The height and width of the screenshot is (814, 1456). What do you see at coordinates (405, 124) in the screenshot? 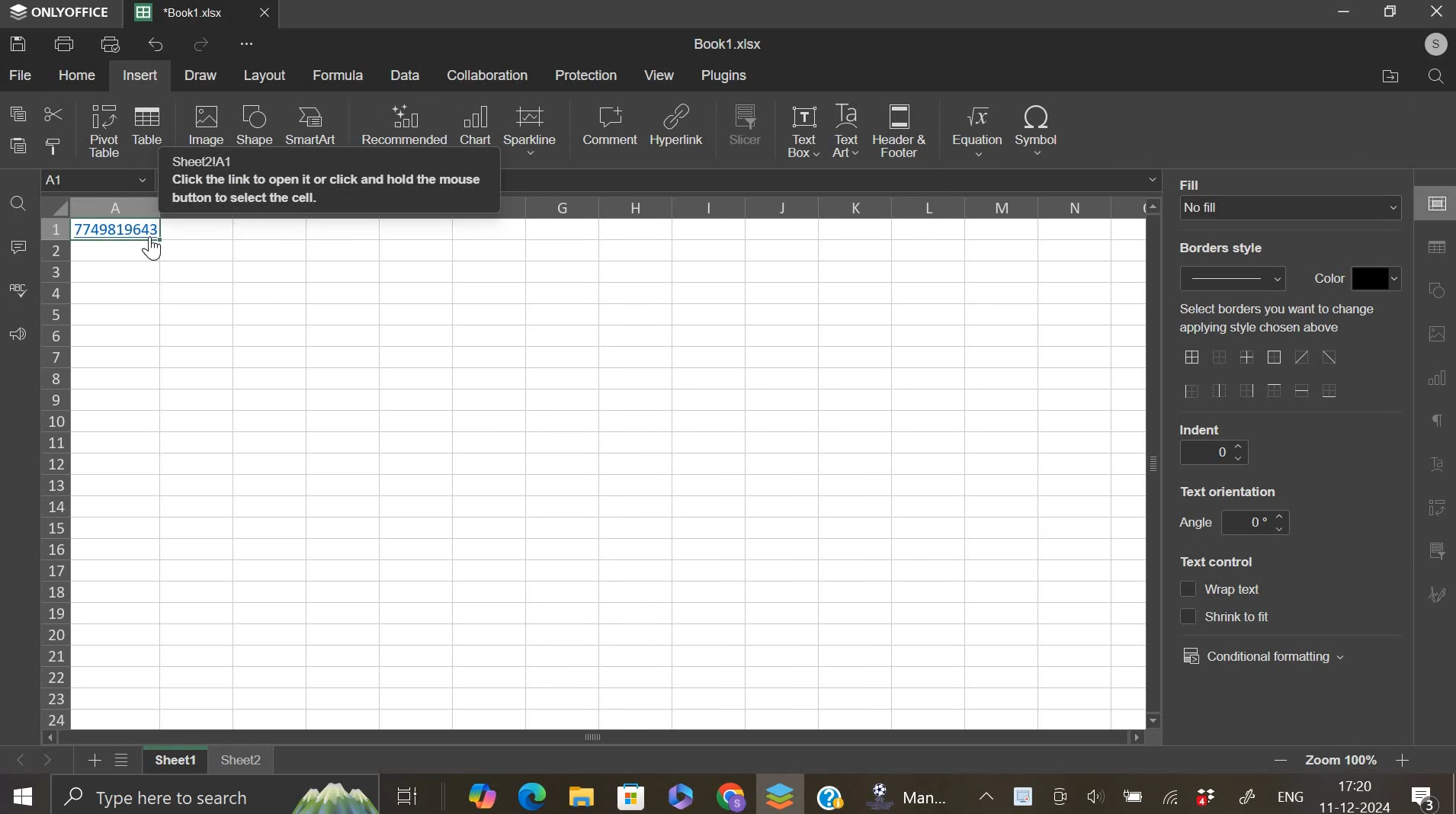
I see `recommend chart` at bounding box center [405, 124].